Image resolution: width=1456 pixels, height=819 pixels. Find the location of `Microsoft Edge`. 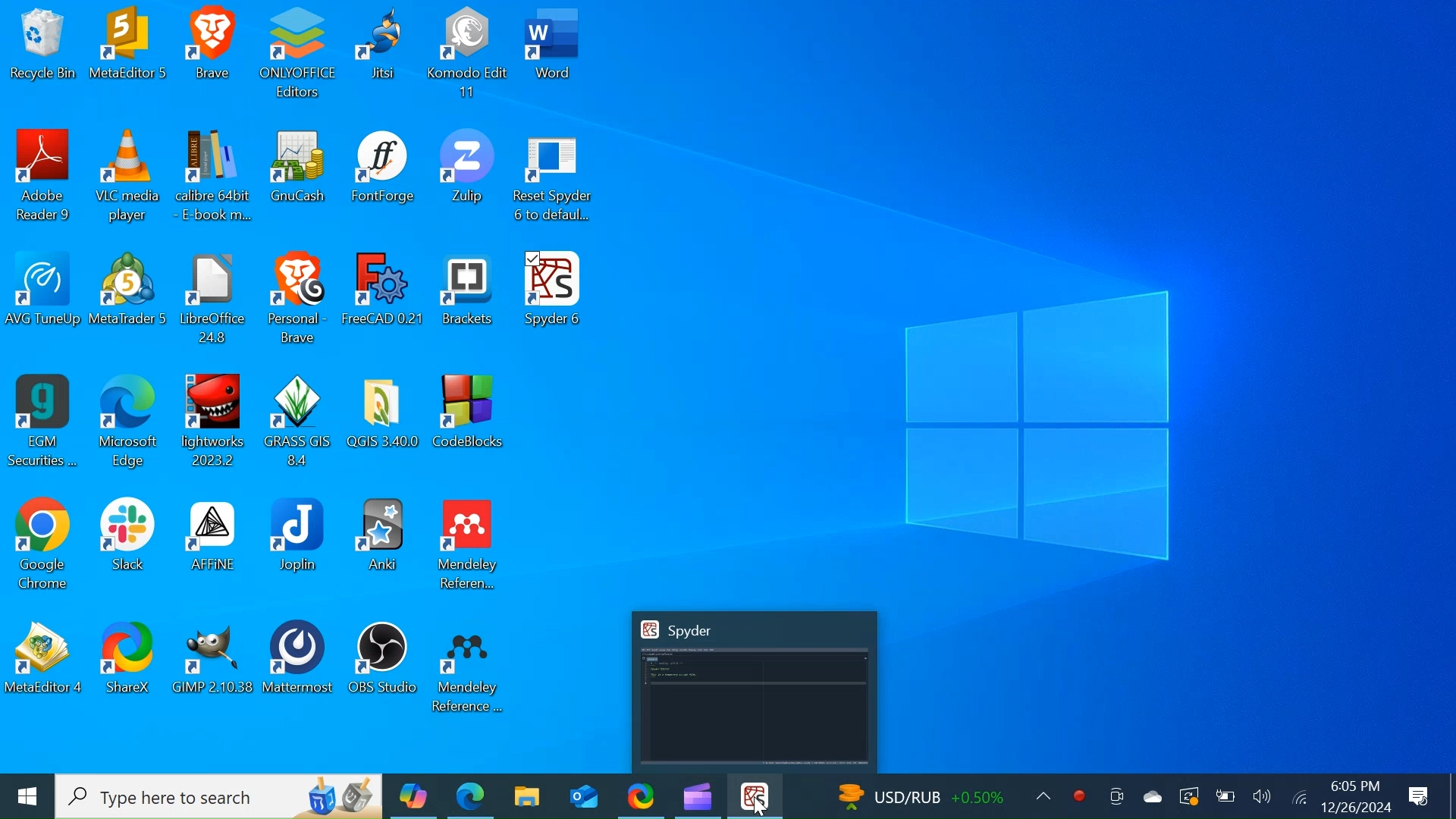

Microsoft Edge is located at coordinates (130, 423).